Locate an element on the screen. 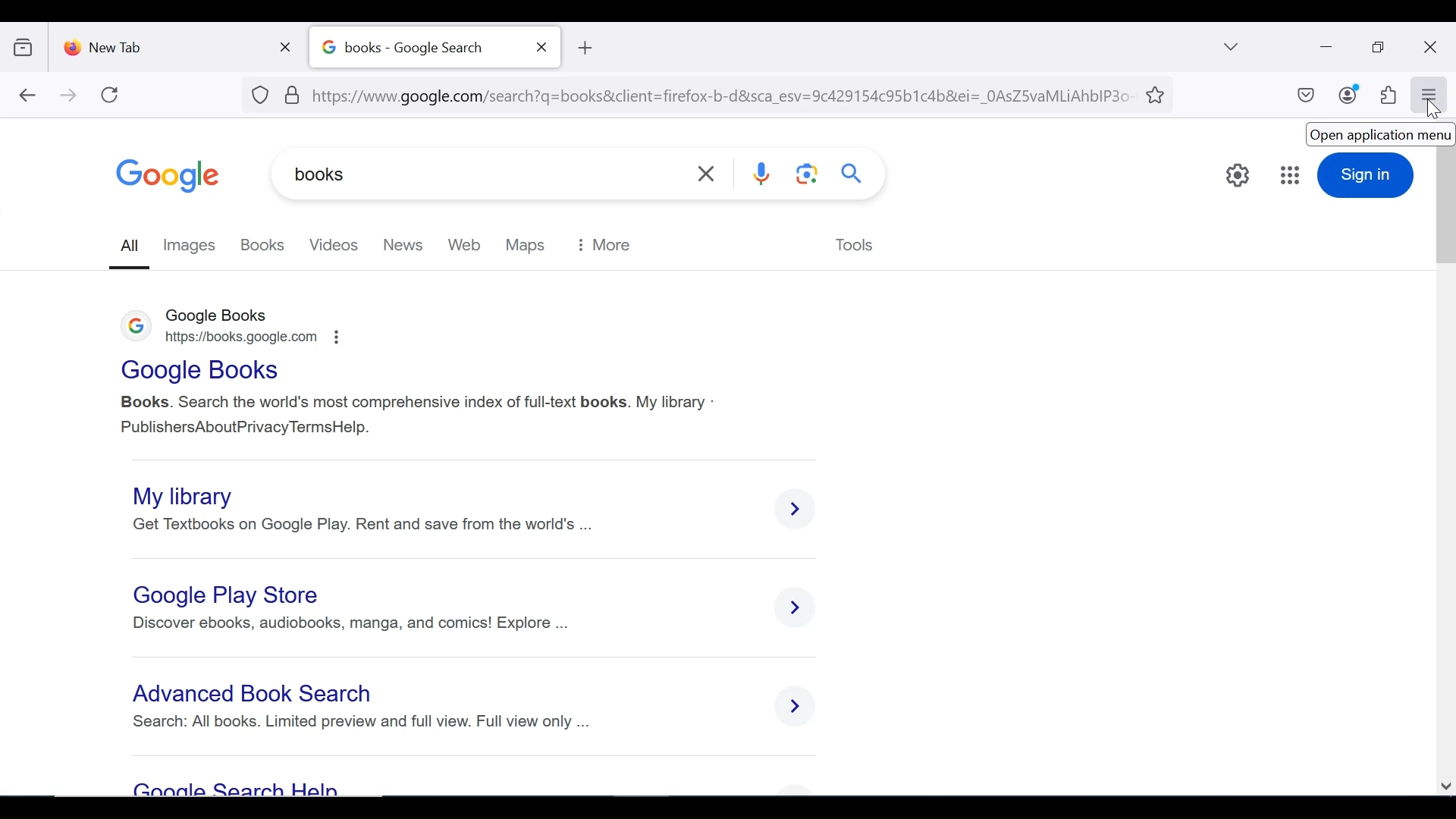  close tab is located at coordinates (542, 47).